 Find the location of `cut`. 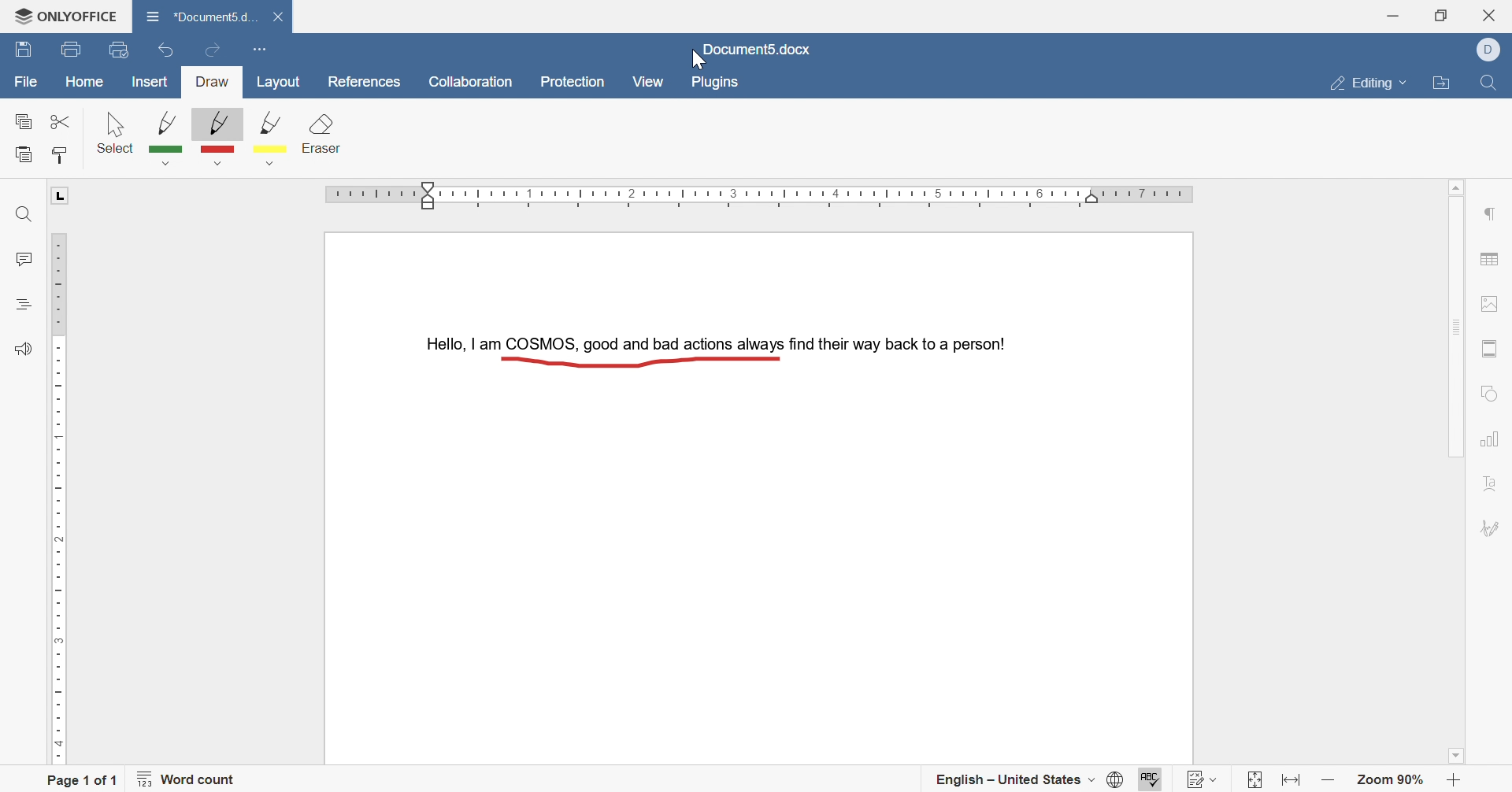

cut is located at coordinates (57, 120).